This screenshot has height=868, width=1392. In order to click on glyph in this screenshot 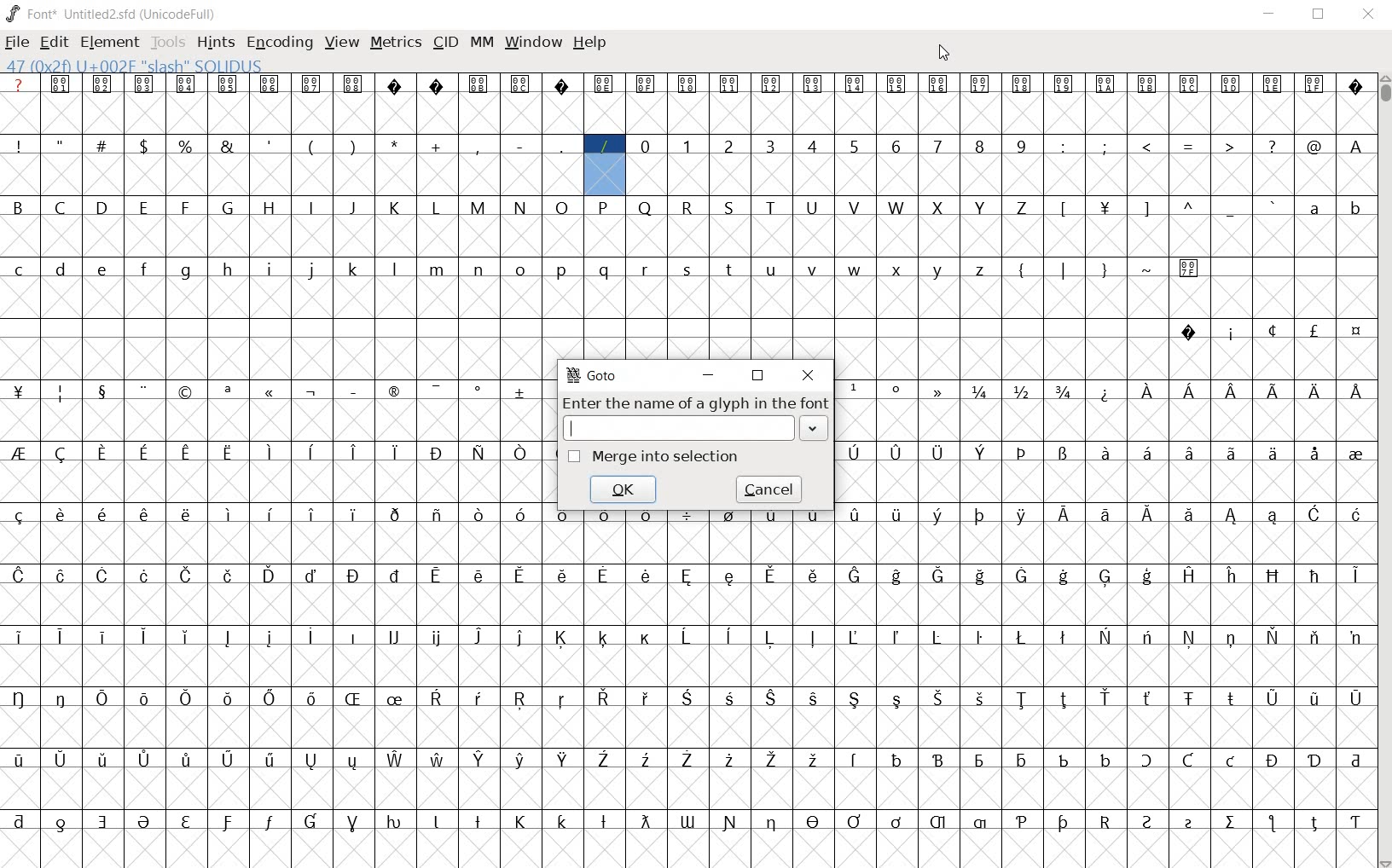, I will do `click(1273, 516)`.